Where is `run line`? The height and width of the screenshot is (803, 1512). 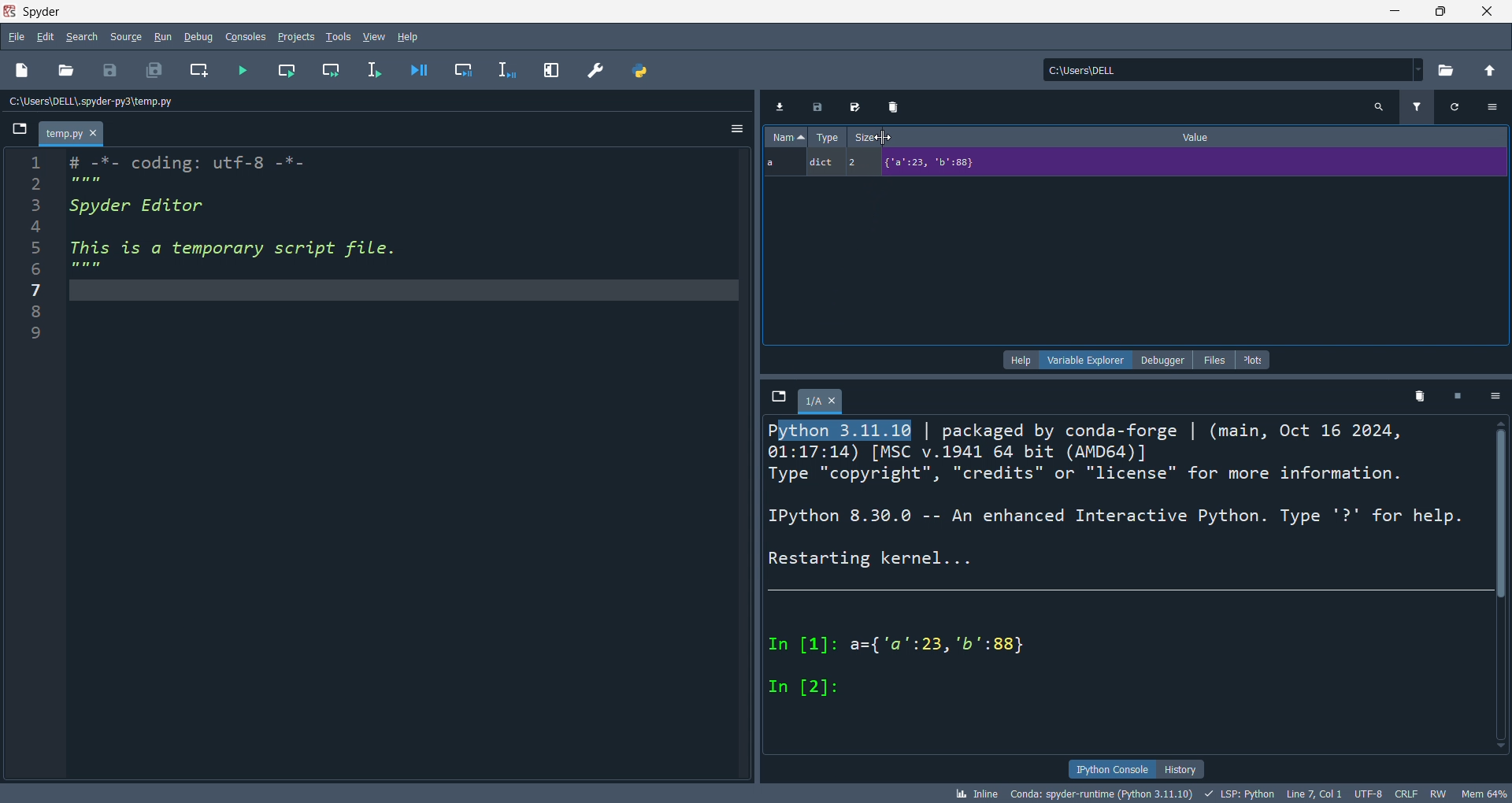
run line is located at coordinates (378, 71).